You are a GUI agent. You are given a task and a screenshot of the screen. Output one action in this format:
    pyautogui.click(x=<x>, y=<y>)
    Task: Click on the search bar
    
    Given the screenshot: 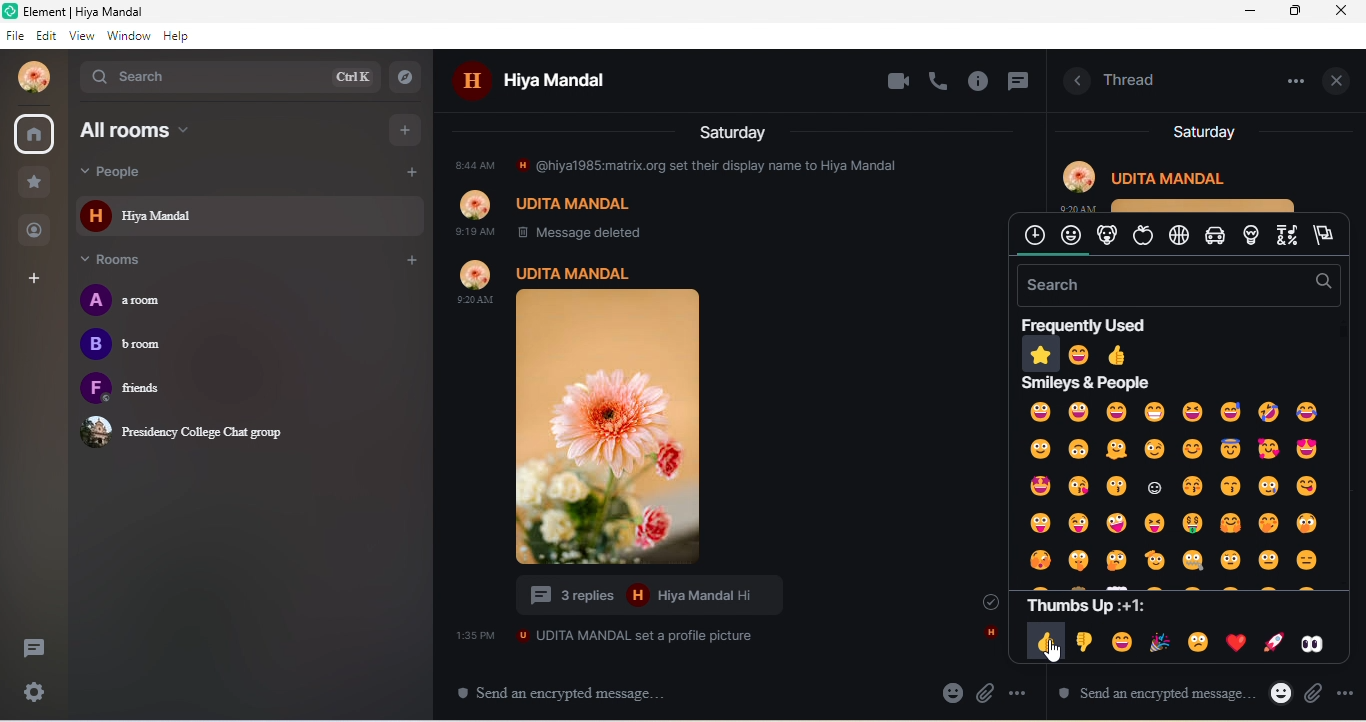 What is the action you would take?
    pyautogui.click(x=1175, y=285)
    